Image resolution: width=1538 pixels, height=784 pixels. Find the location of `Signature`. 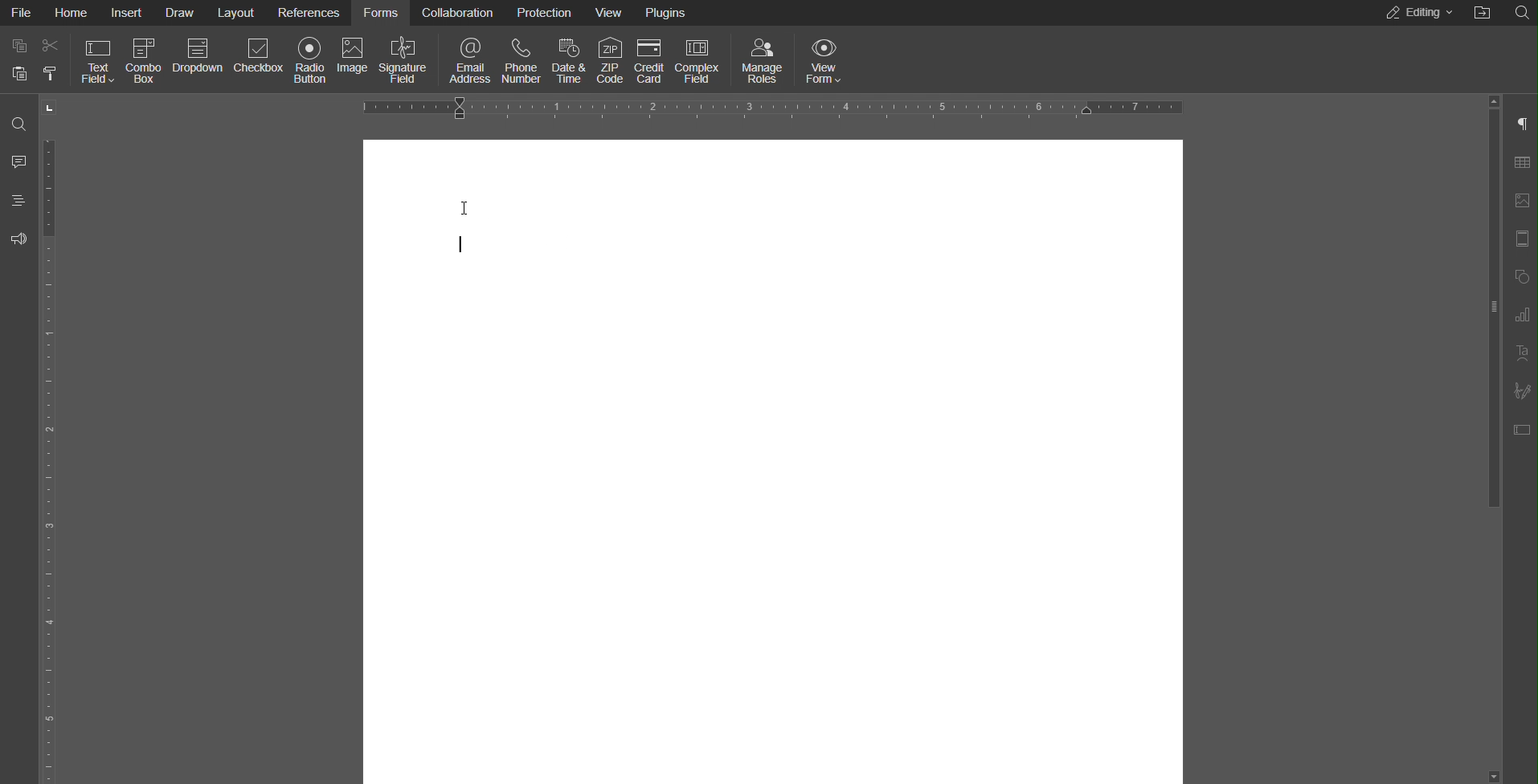

Signature is located at coordinates (405, 59).